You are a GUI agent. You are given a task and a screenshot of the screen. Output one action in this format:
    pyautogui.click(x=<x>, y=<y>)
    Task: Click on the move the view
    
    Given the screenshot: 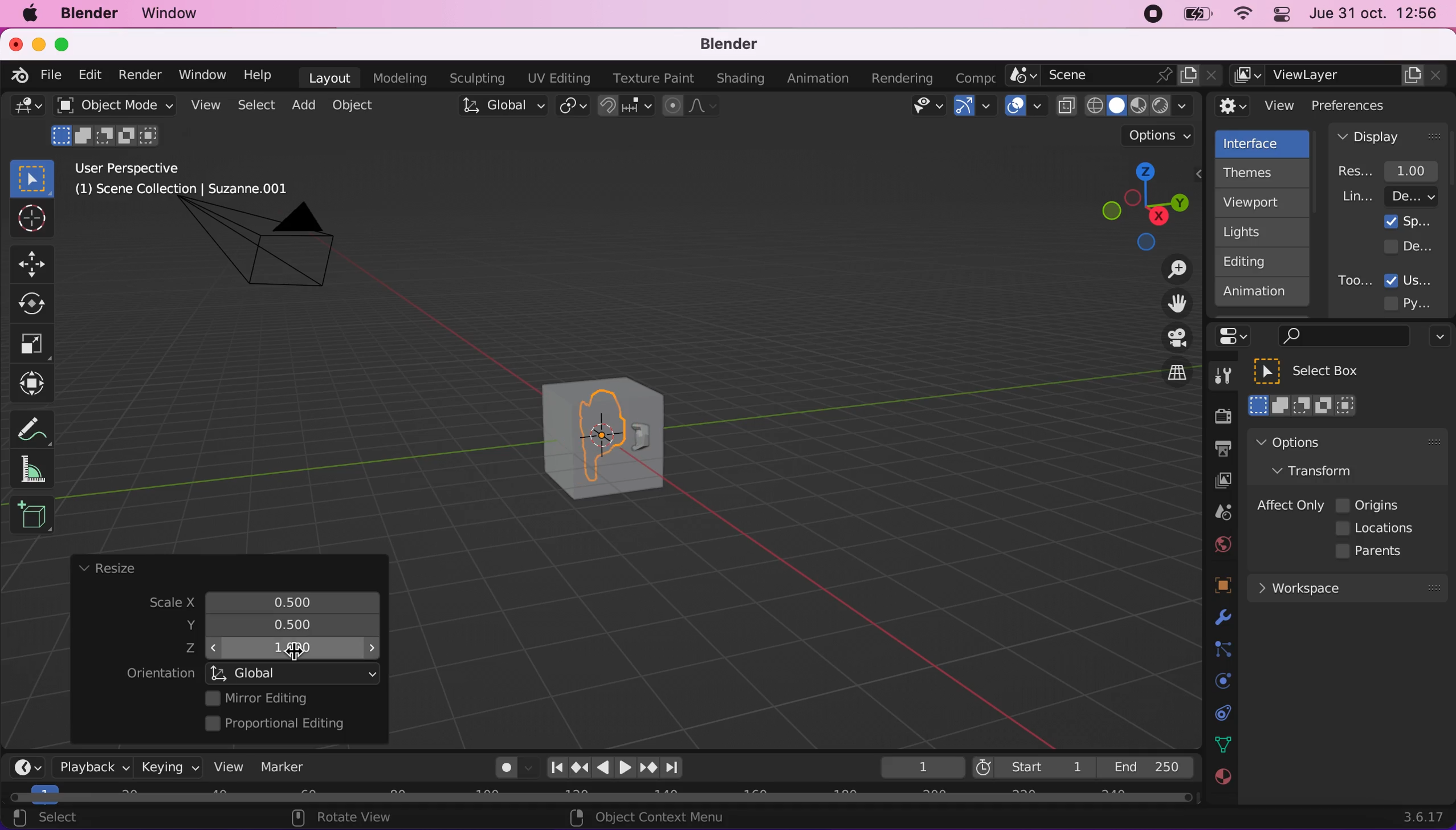 What is the action you would take?
    pyautogui.click(x=1168, y=304)
    